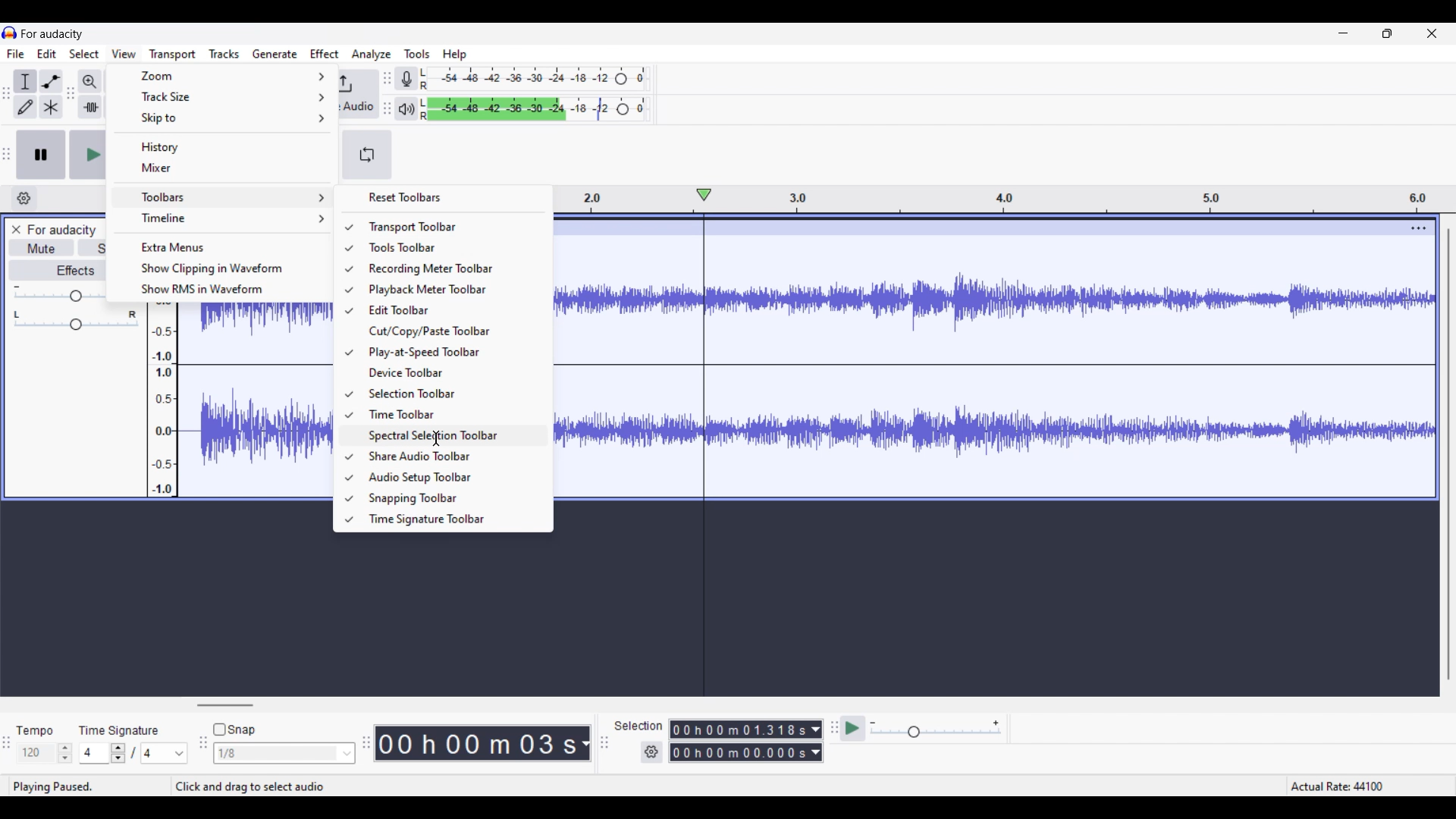 Image resolution: width=1456 pixels, height=819 pixels. Describe the element at coordinates (52, 34) in the screenshot. I see `Software name` at that location.